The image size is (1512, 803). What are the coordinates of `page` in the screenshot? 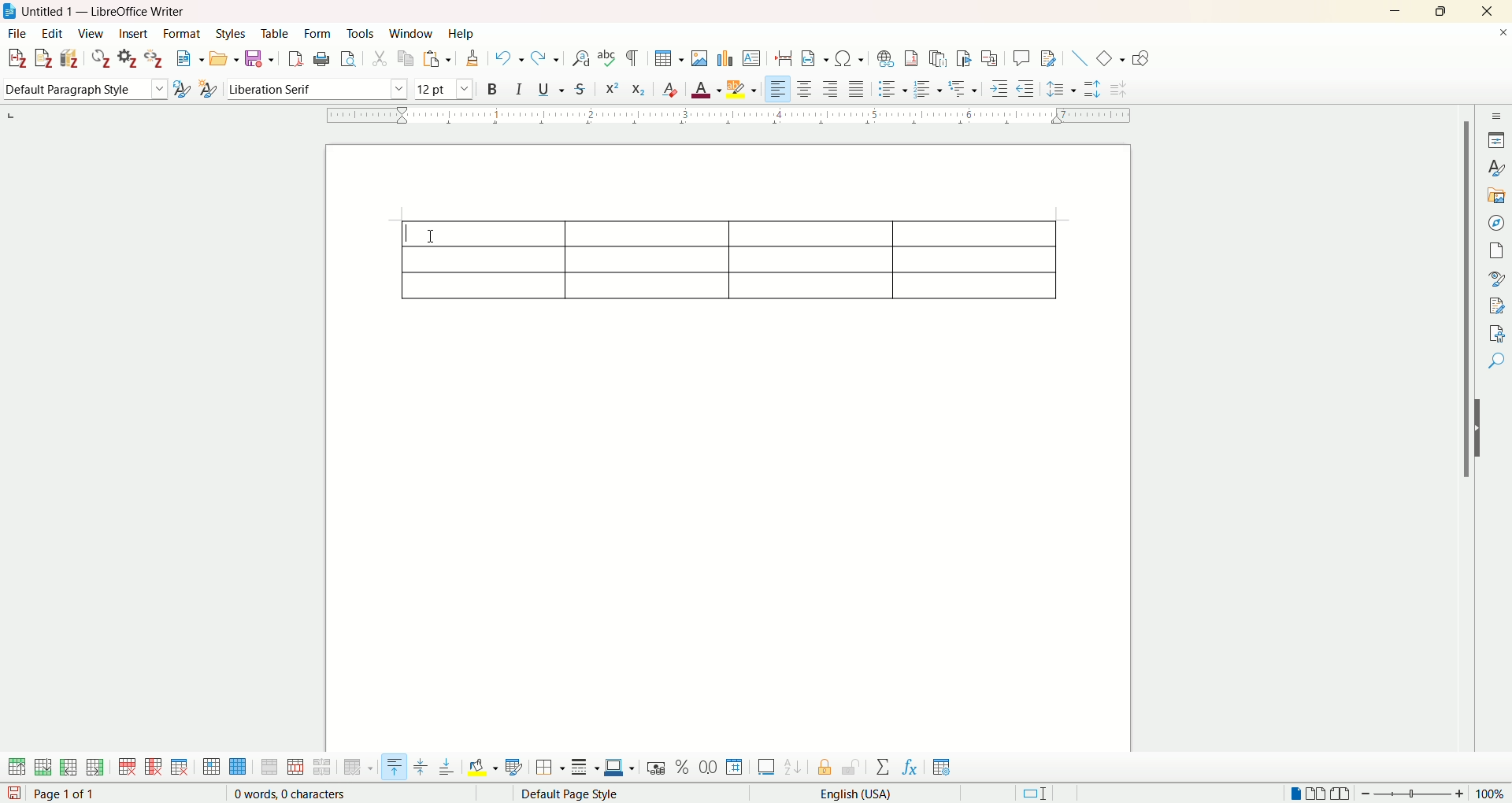 It's located at (1494, 252).